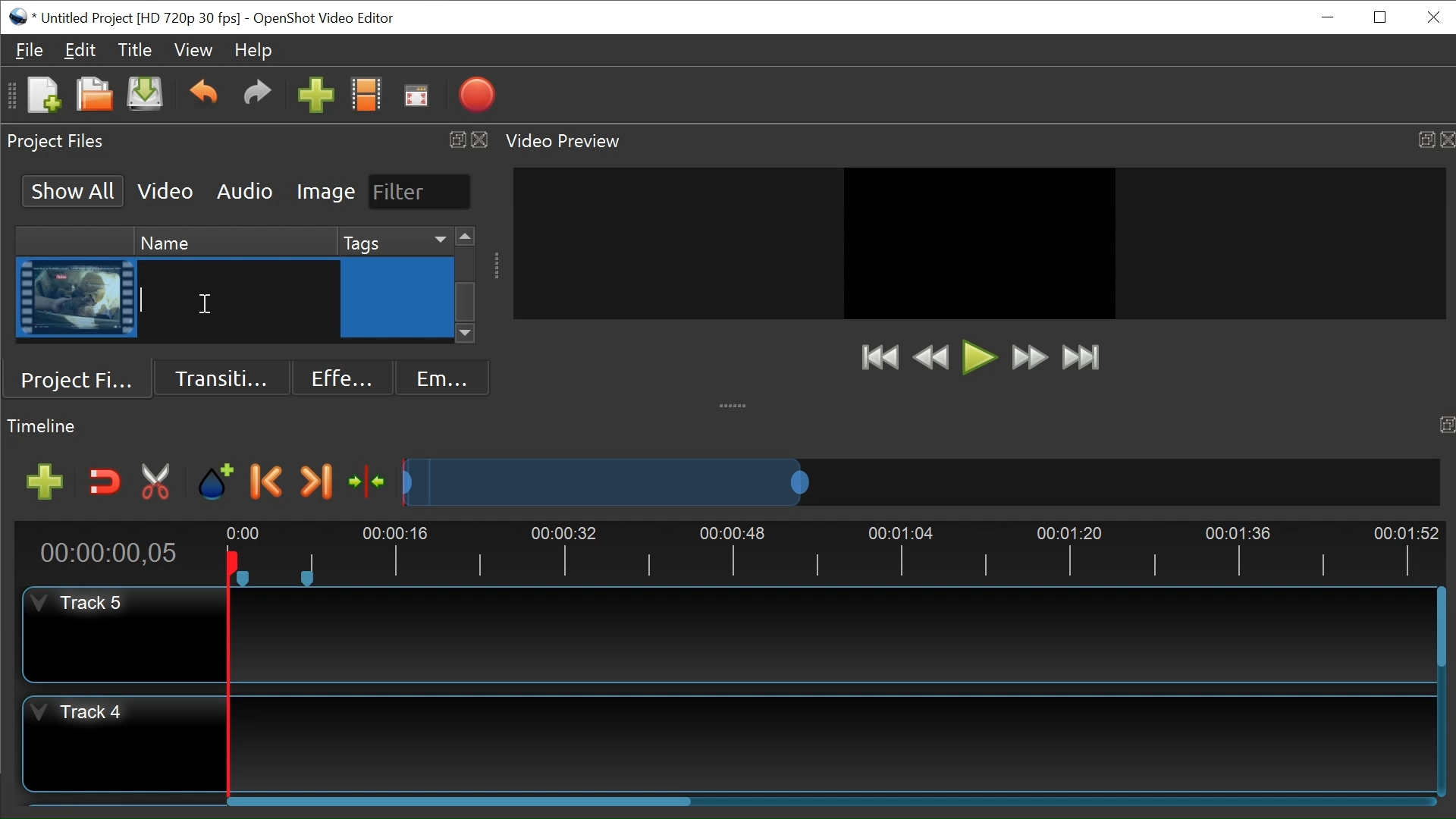  Describe the element at coordinates (466, 335) in the screenshot. I see `Scroll down` at that location.